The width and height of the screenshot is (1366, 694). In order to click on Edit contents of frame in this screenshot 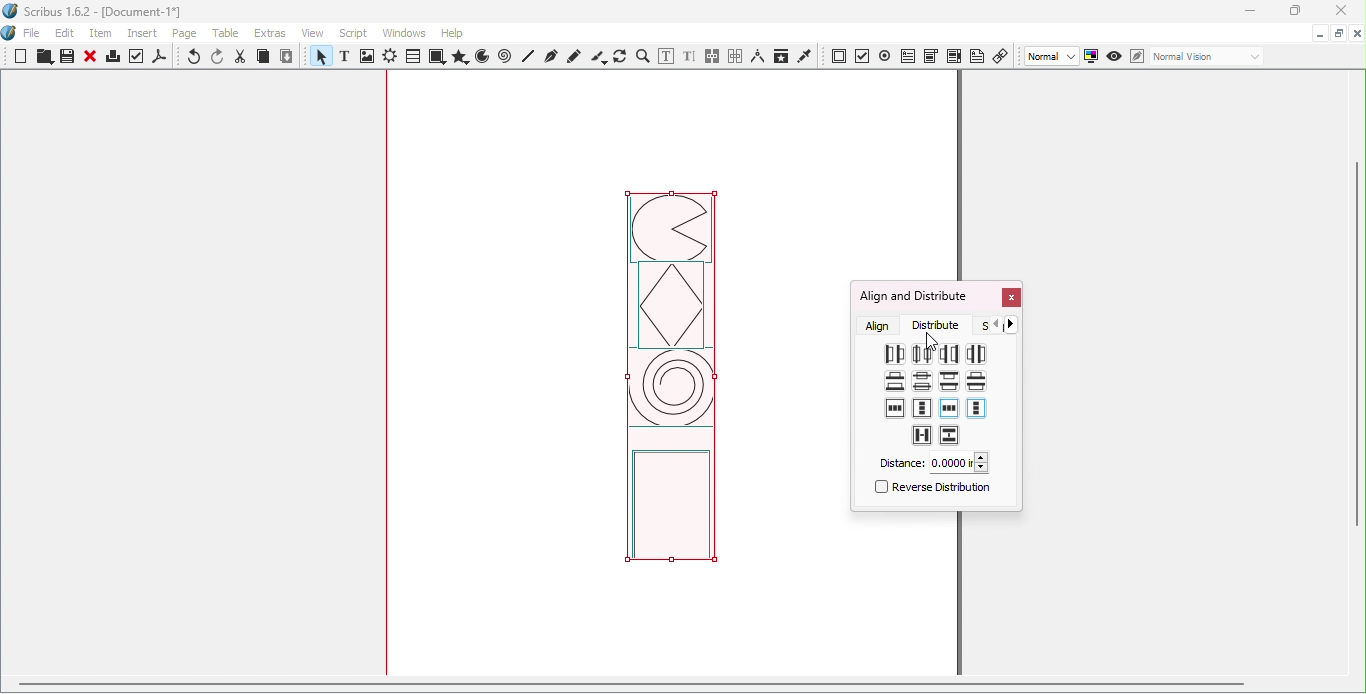, I will do `click(665, 56)`.